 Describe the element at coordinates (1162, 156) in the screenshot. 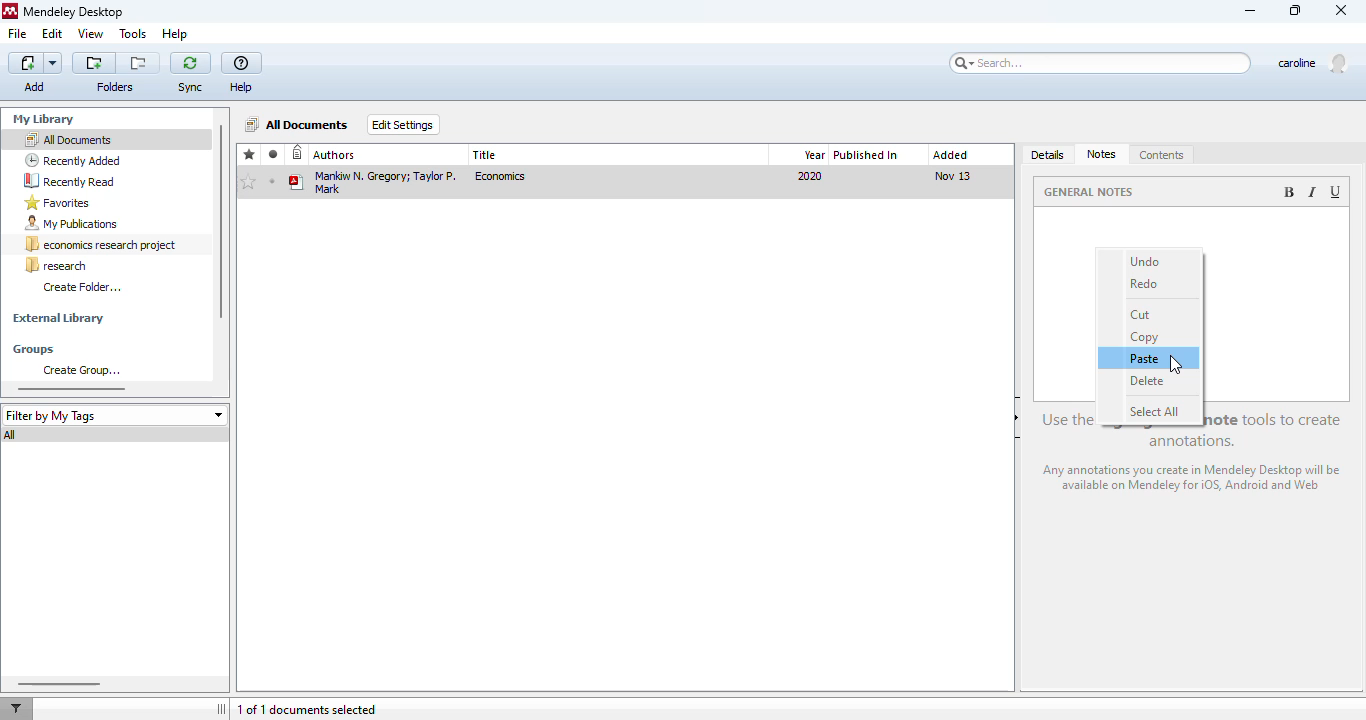

I see `contents` at that location.